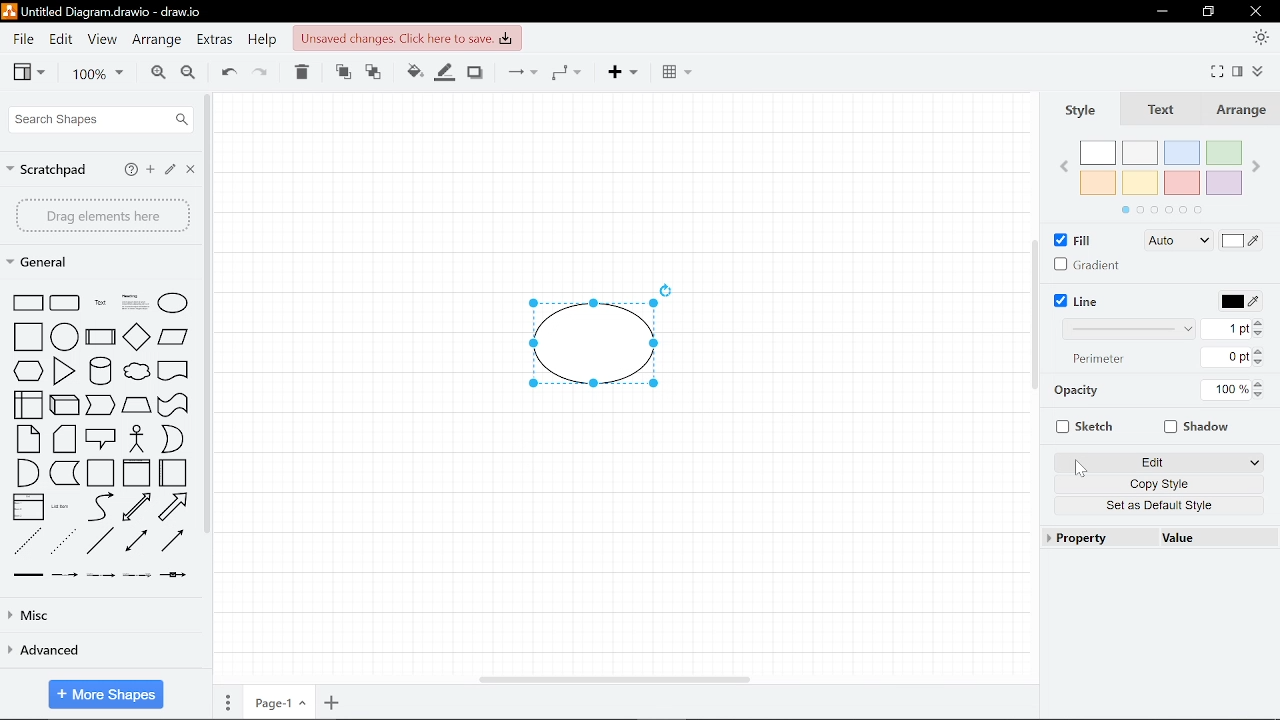 Image resolution: width=1280 pixels, height=720 pixels. What do you see at coordinates (158, 40) in the screenshot?
I see `Arrange` at bounding box center [158, 40].